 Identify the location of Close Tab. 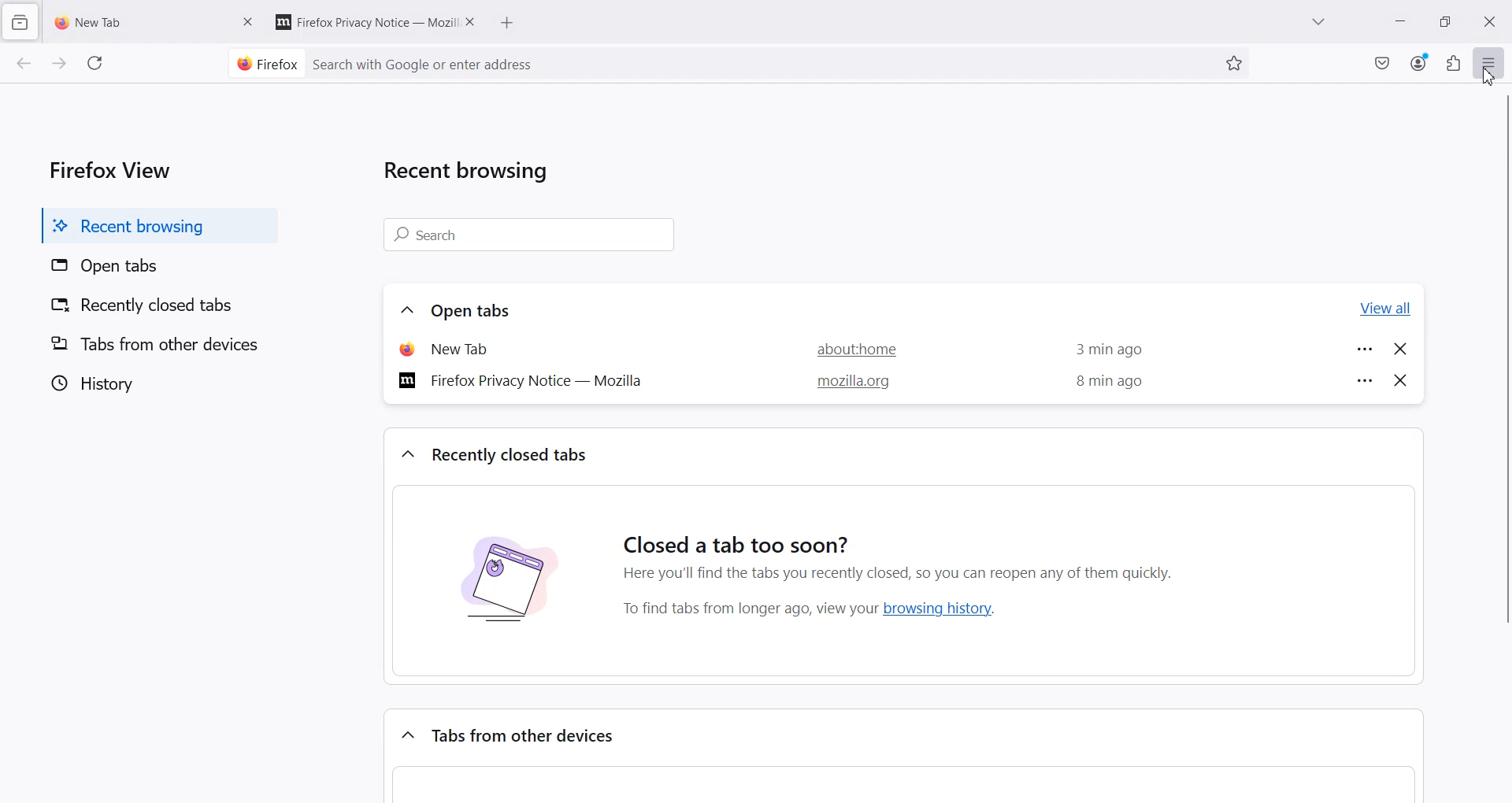
(472, 20).